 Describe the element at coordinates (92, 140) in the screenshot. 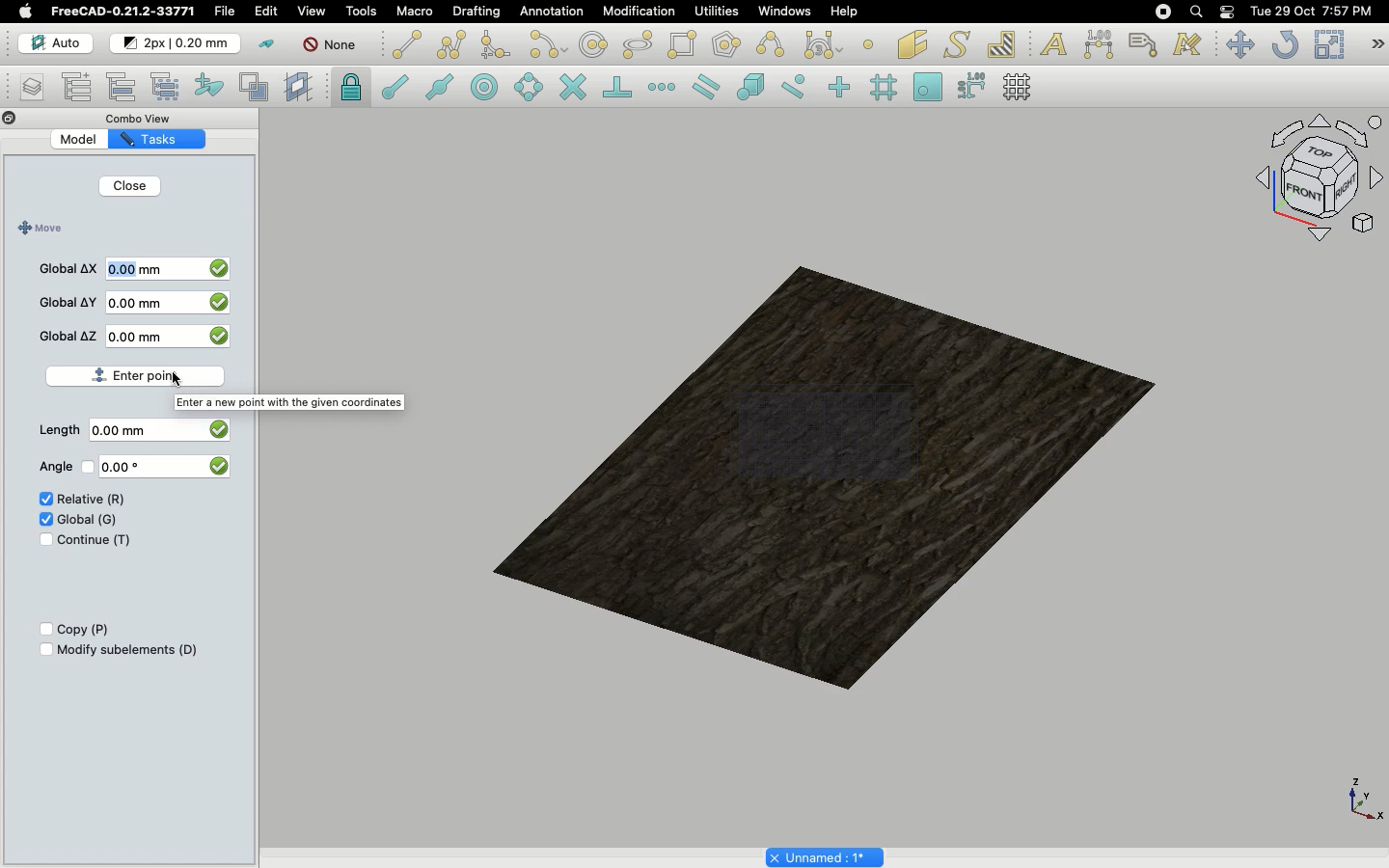

I see `Model` at that location.